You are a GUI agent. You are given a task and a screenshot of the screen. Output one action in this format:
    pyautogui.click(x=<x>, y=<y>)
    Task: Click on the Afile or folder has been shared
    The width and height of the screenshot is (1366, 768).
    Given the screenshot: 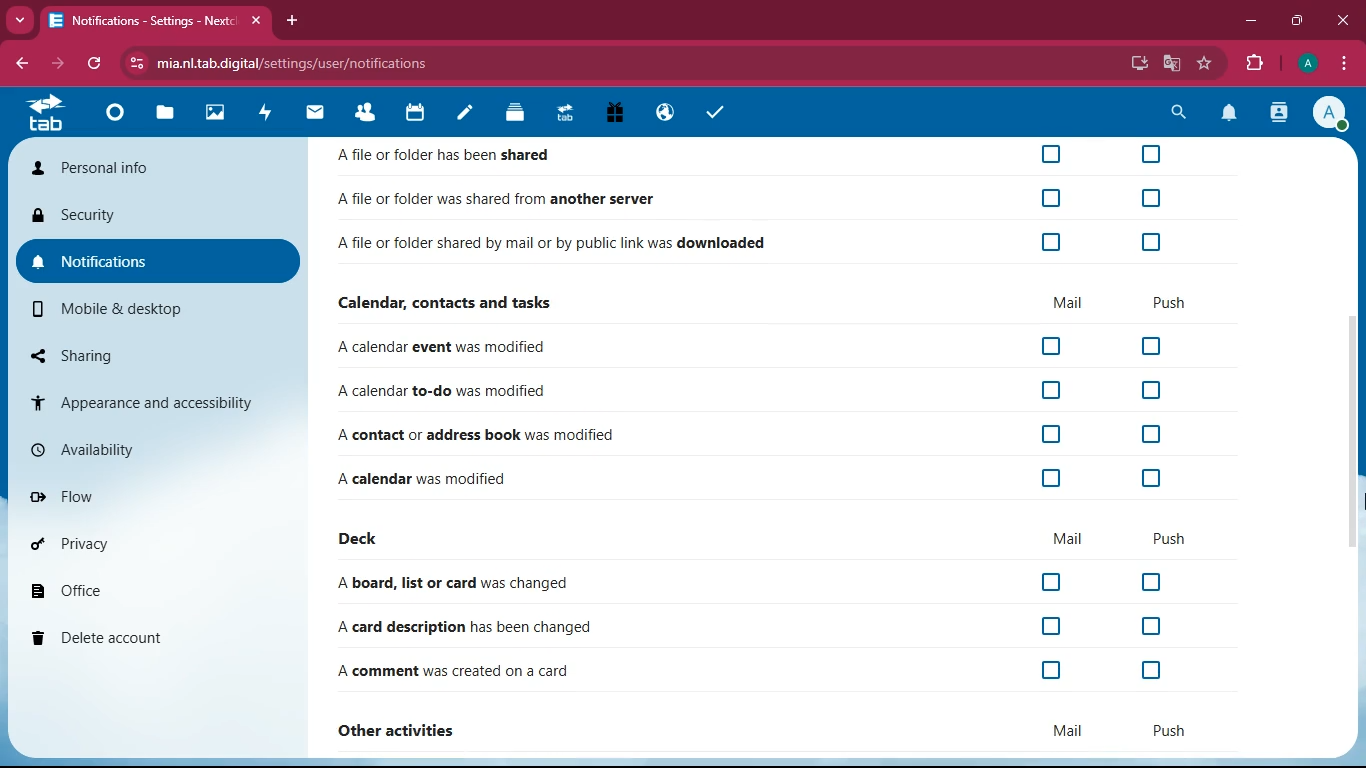 What is the action you would take?
    pyautogui.click(x=449, y=158)
    